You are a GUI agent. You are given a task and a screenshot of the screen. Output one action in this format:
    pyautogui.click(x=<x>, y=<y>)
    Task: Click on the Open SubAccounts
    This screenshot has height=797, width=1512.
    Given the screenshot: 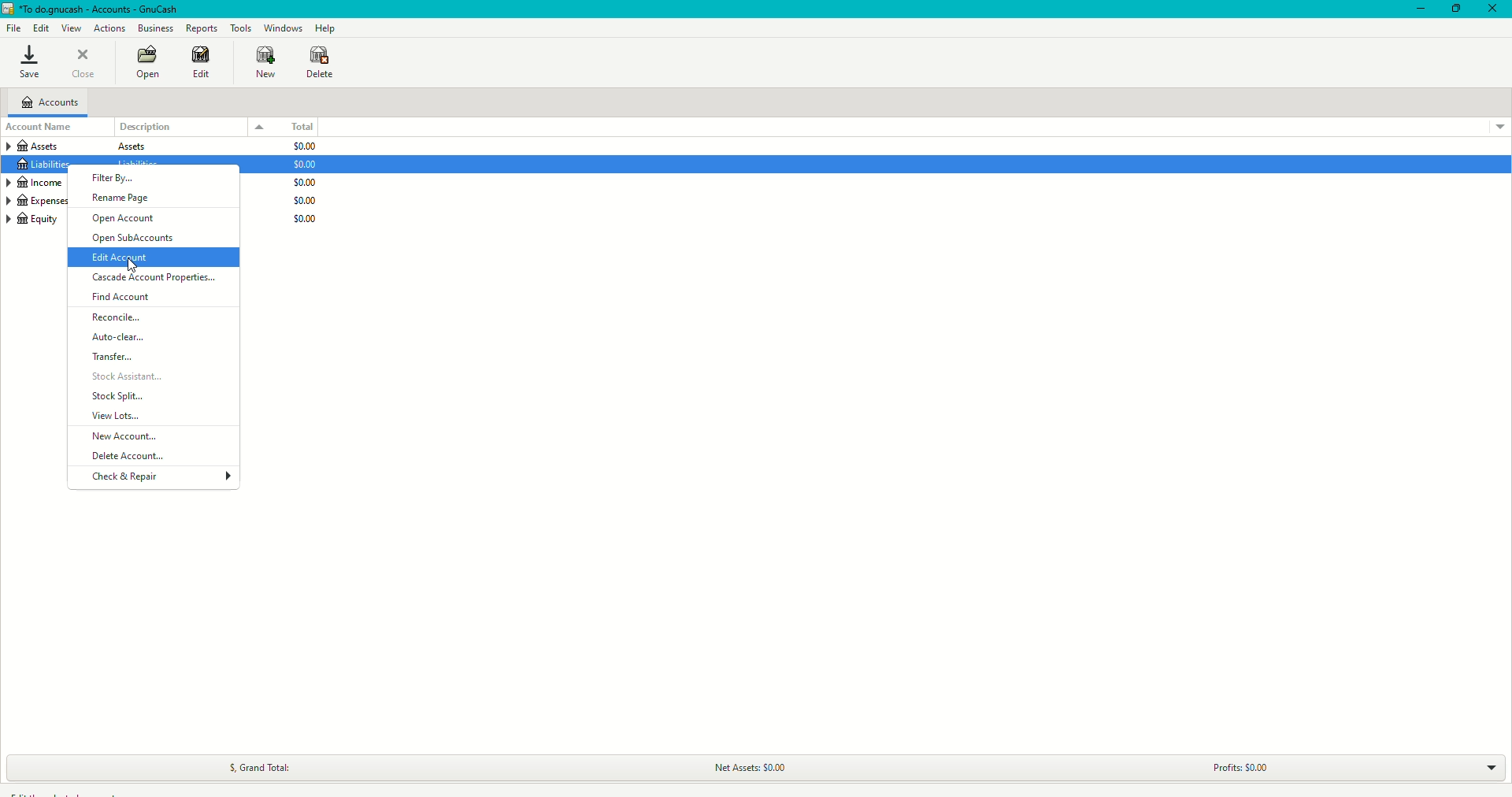 What is the action you would take?
    pyautogui.click(x=137, y=237)
    